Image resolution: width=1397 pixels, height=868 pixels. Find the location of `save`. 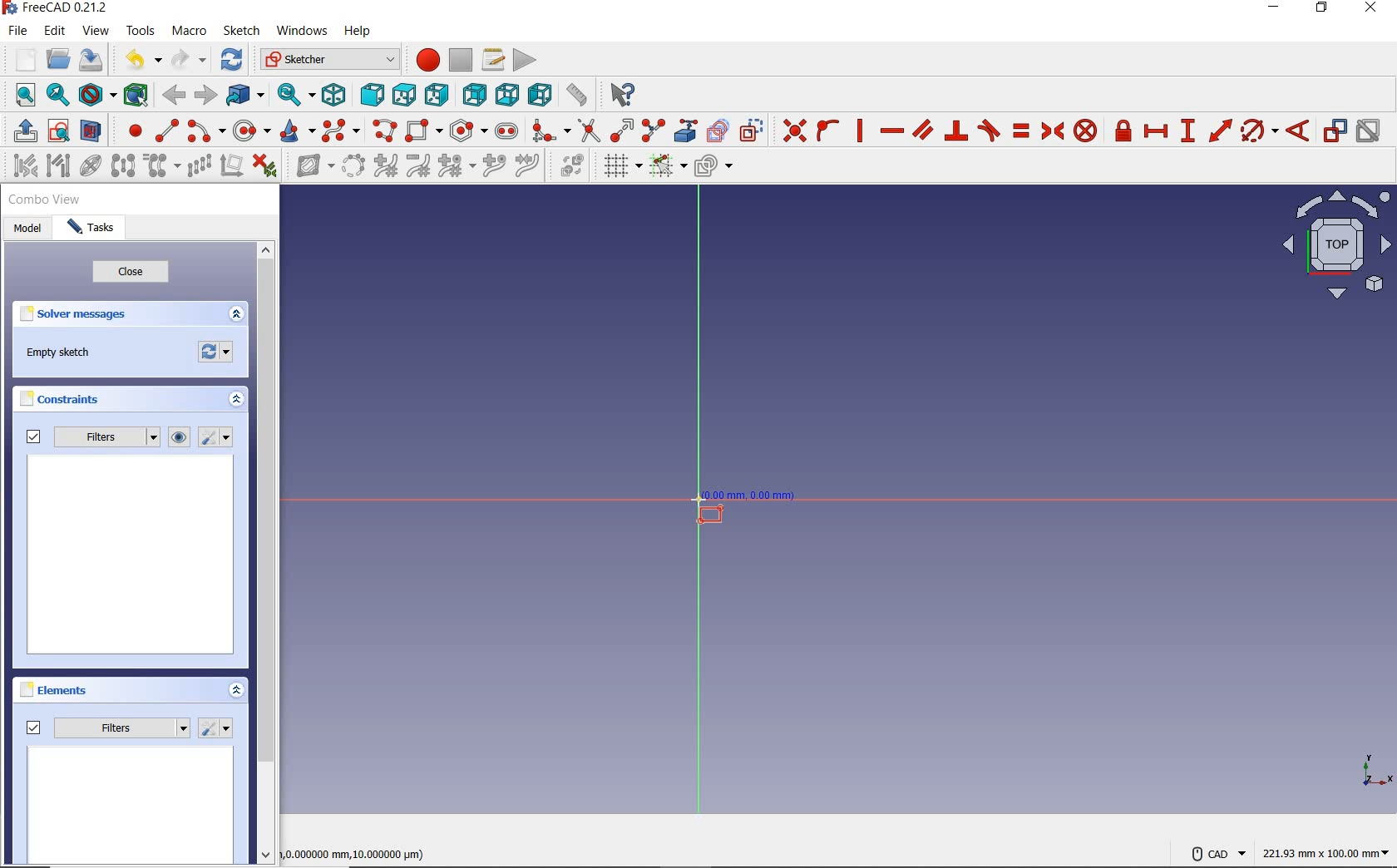

save is located at coordinates (94, 62).